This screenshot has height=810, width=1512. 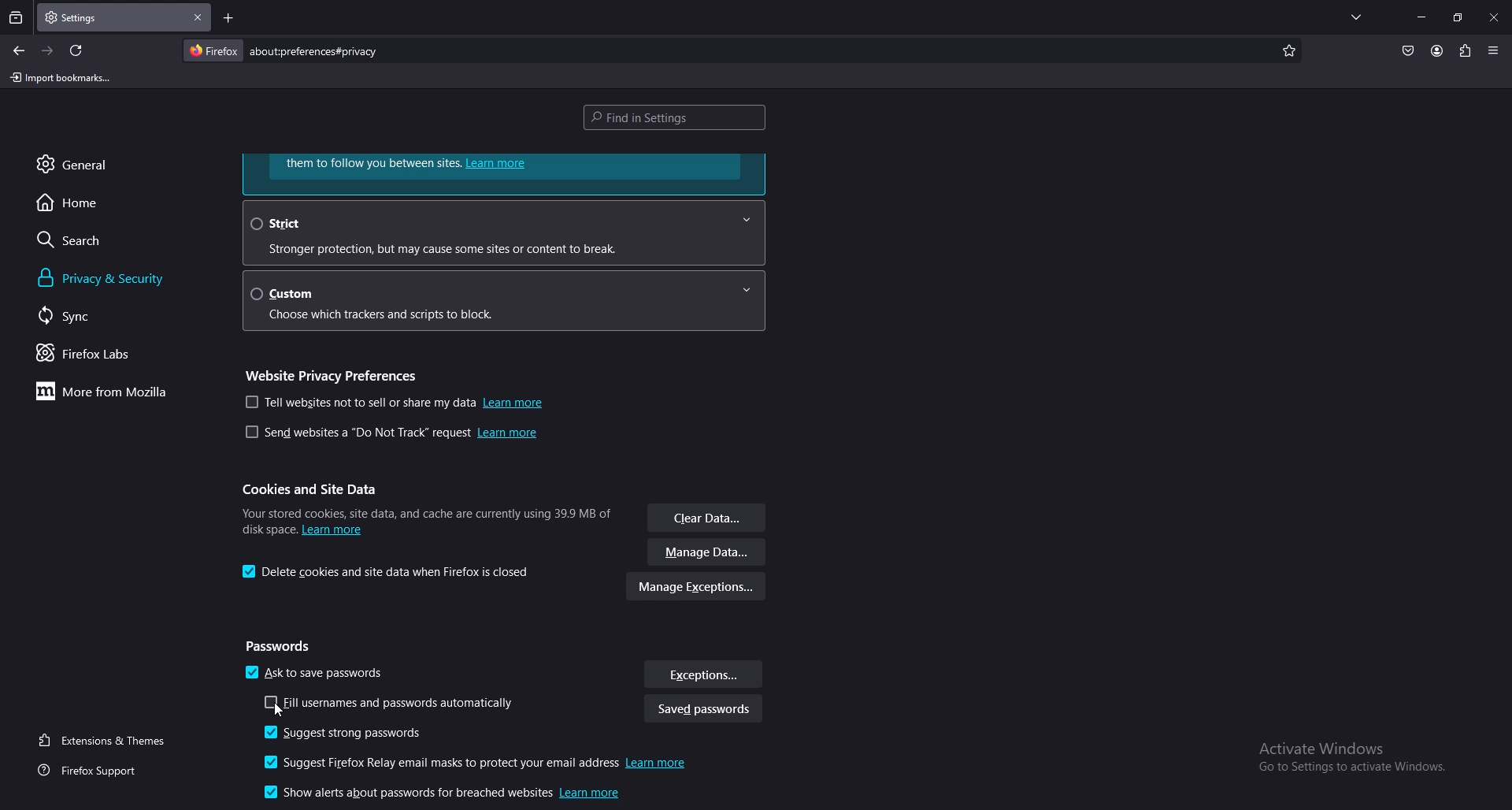 What do you see at coordinates (1290, 51) in the screenshot?
I see `bookmark` at bounding box center [1290, 51].